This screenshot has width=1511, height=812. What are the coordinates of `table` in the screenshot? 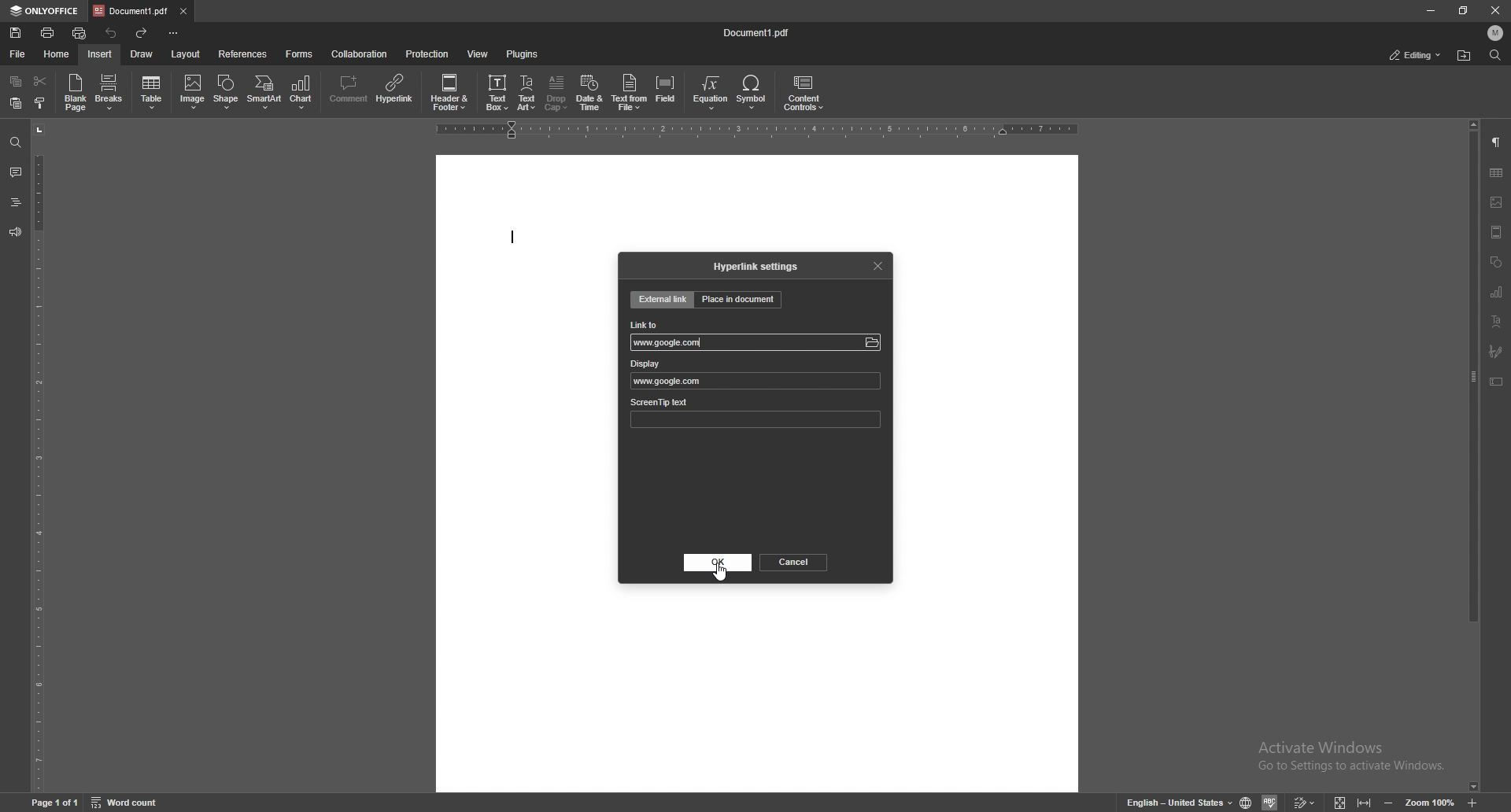 It's located at (1496, 172).